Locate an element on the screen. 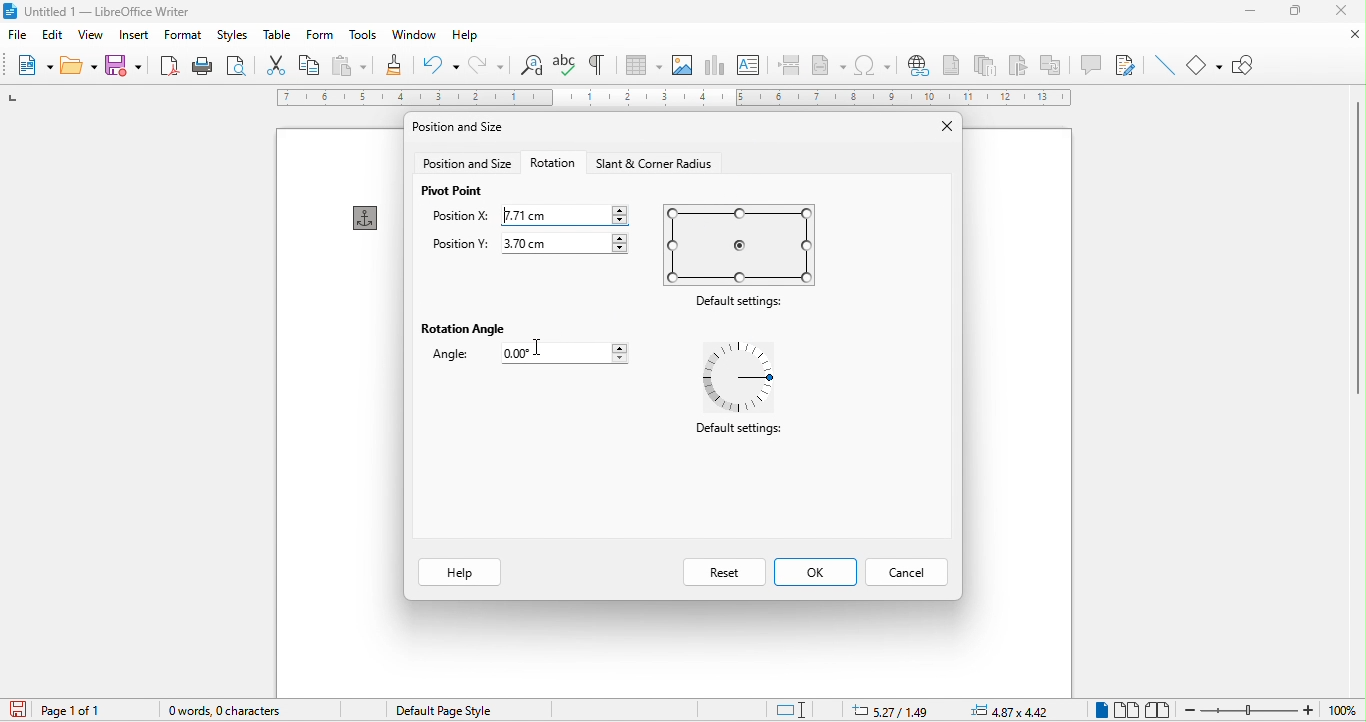 The width and height of the screenshot is (1366, 722). page 1 of 1 is located at coordinates (82, 710).